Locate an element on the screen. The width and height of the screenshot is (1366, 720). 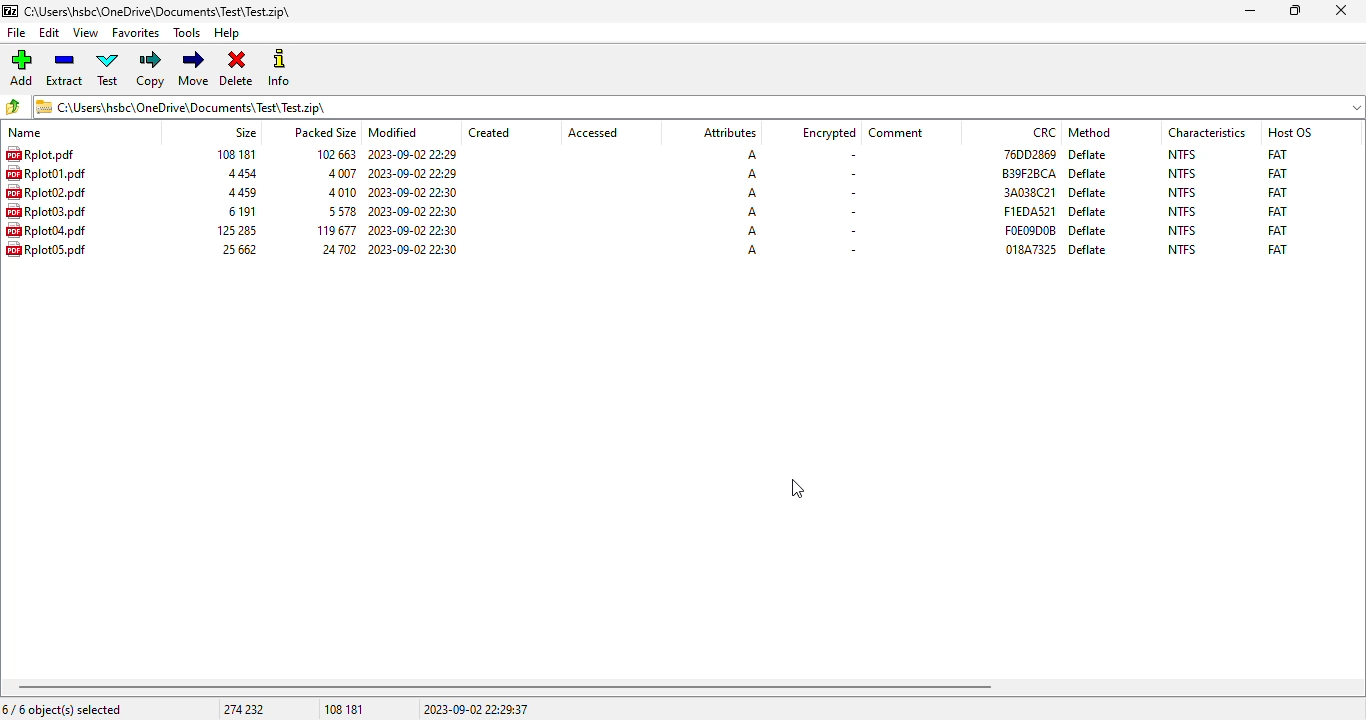
CRC is located at coordinates (1030, 230).